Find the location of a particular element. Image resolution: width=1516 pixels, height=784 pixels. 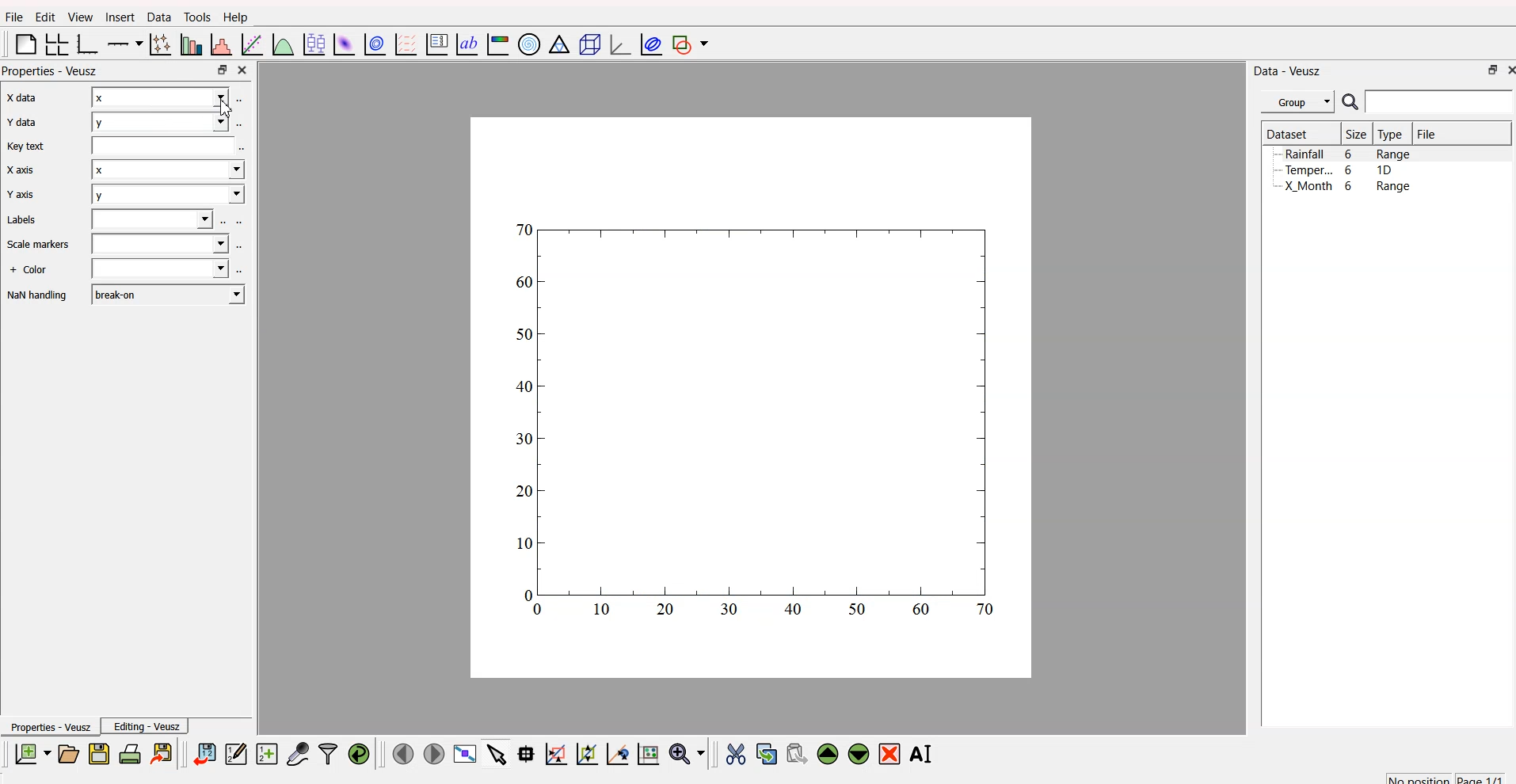

x is located at coordinates (161, 97).